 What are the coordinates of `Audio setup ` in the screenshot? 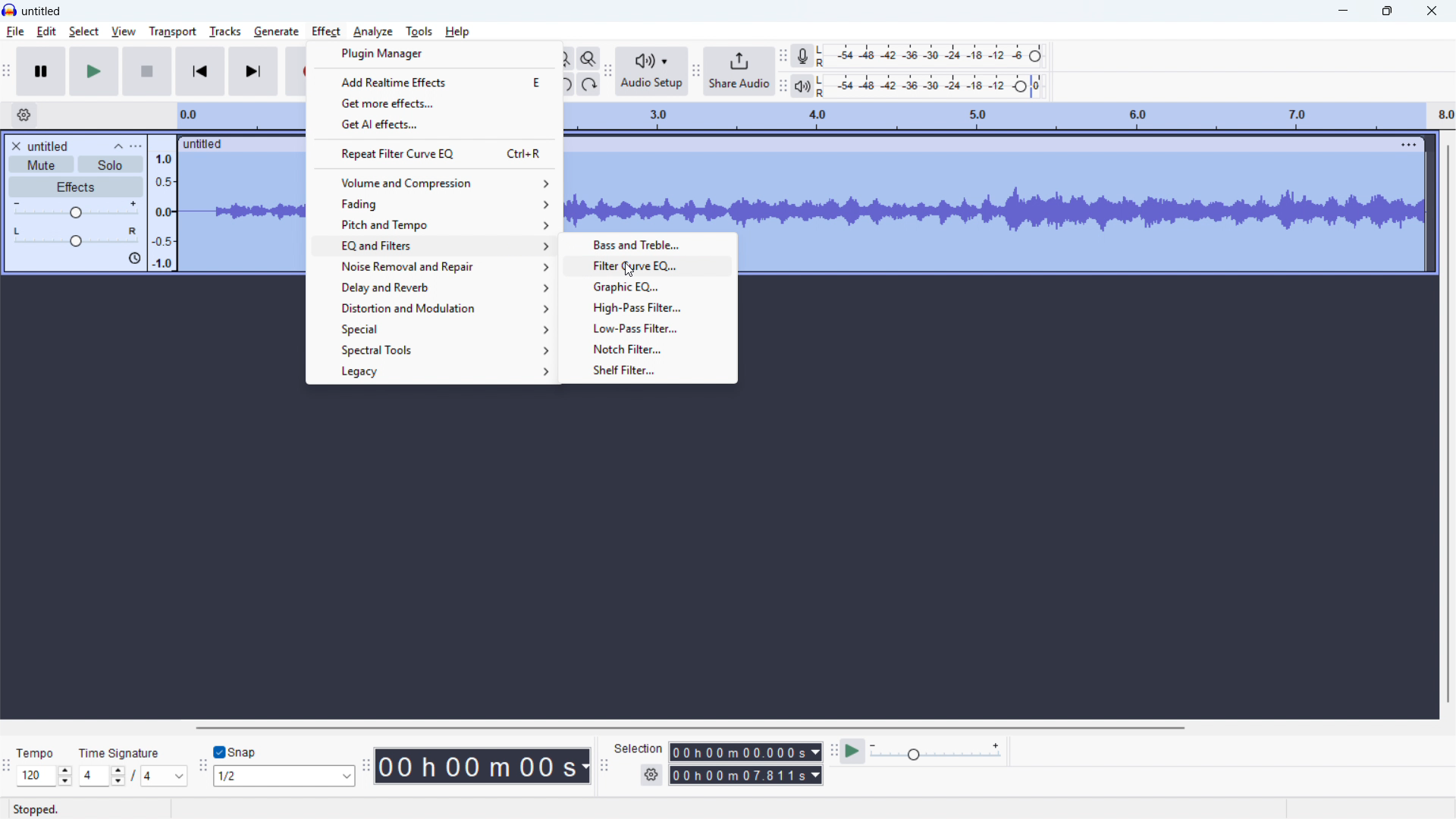 It's located at (651, 71).